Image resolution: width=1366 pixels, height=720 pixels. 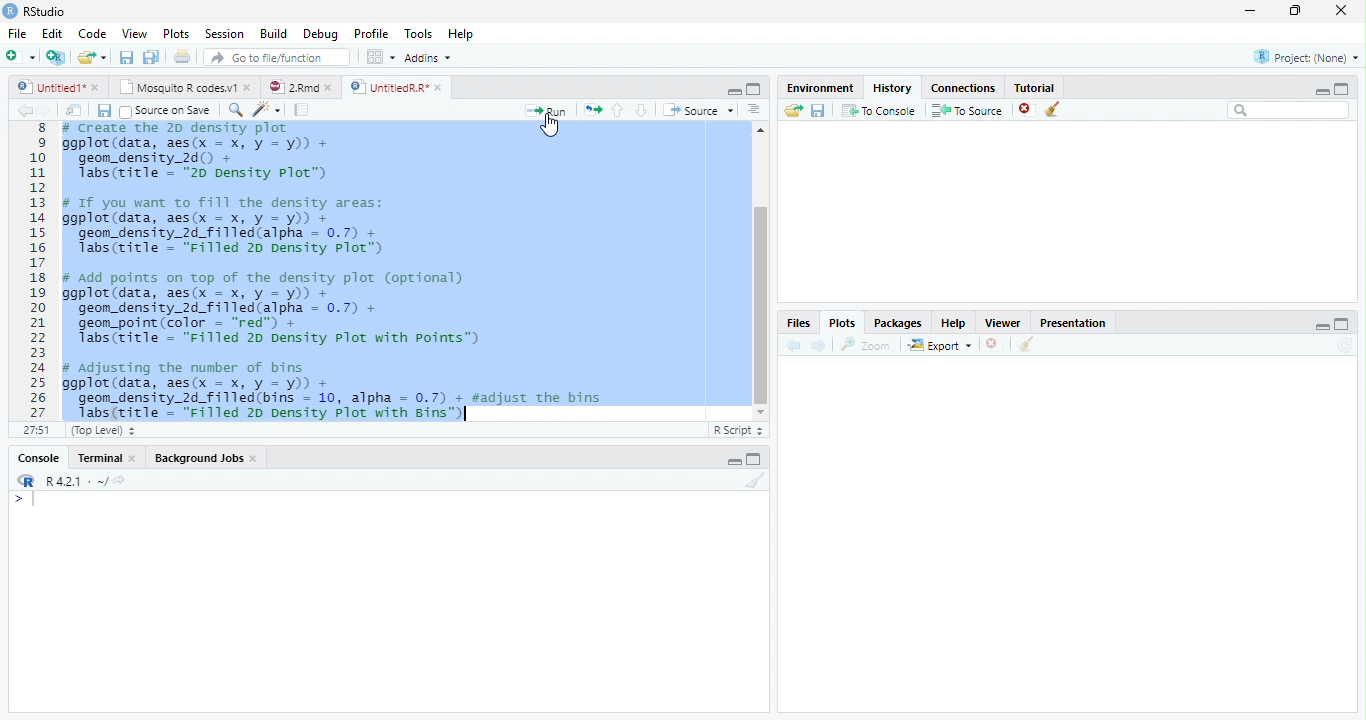 What do you see at coordinates (543, 111) in the screenshot?
I see `Run` at bounding box center [543, 111].